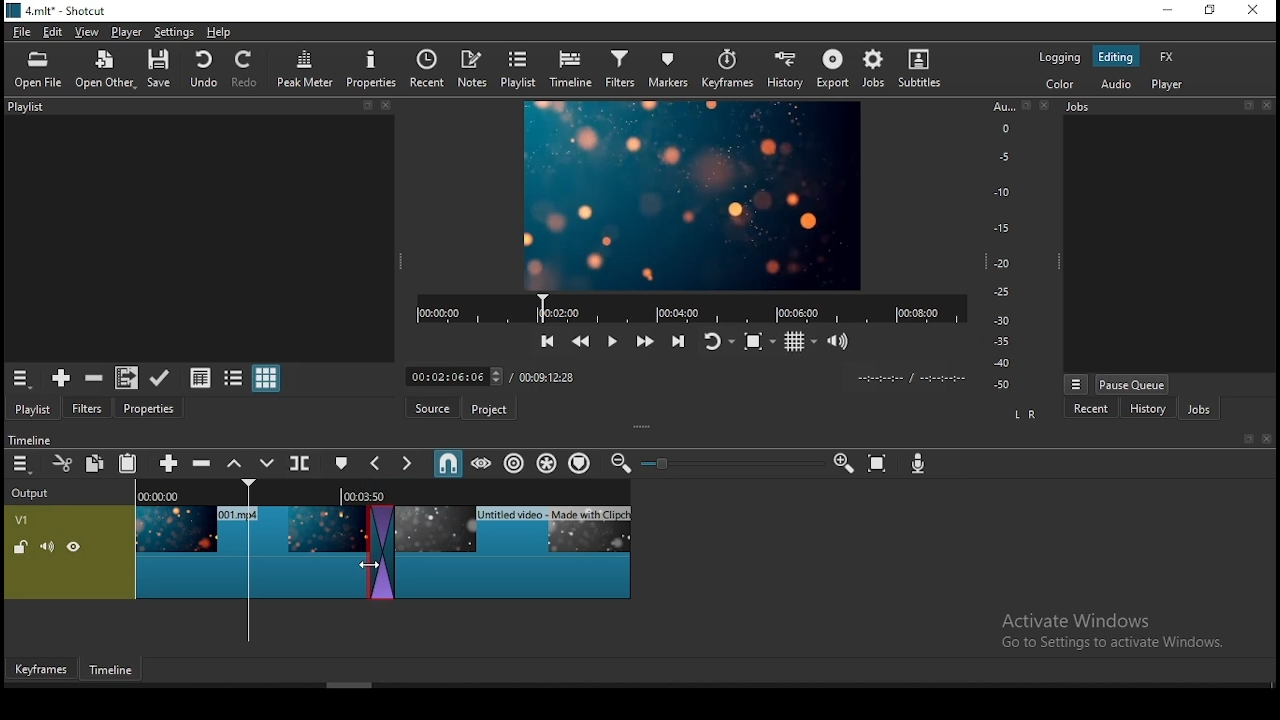 Image resolution: width=1280 pixels, height=720 pixels. Describe the element at coordinates (33, 494) in the screenshot. I see `output` at that location.